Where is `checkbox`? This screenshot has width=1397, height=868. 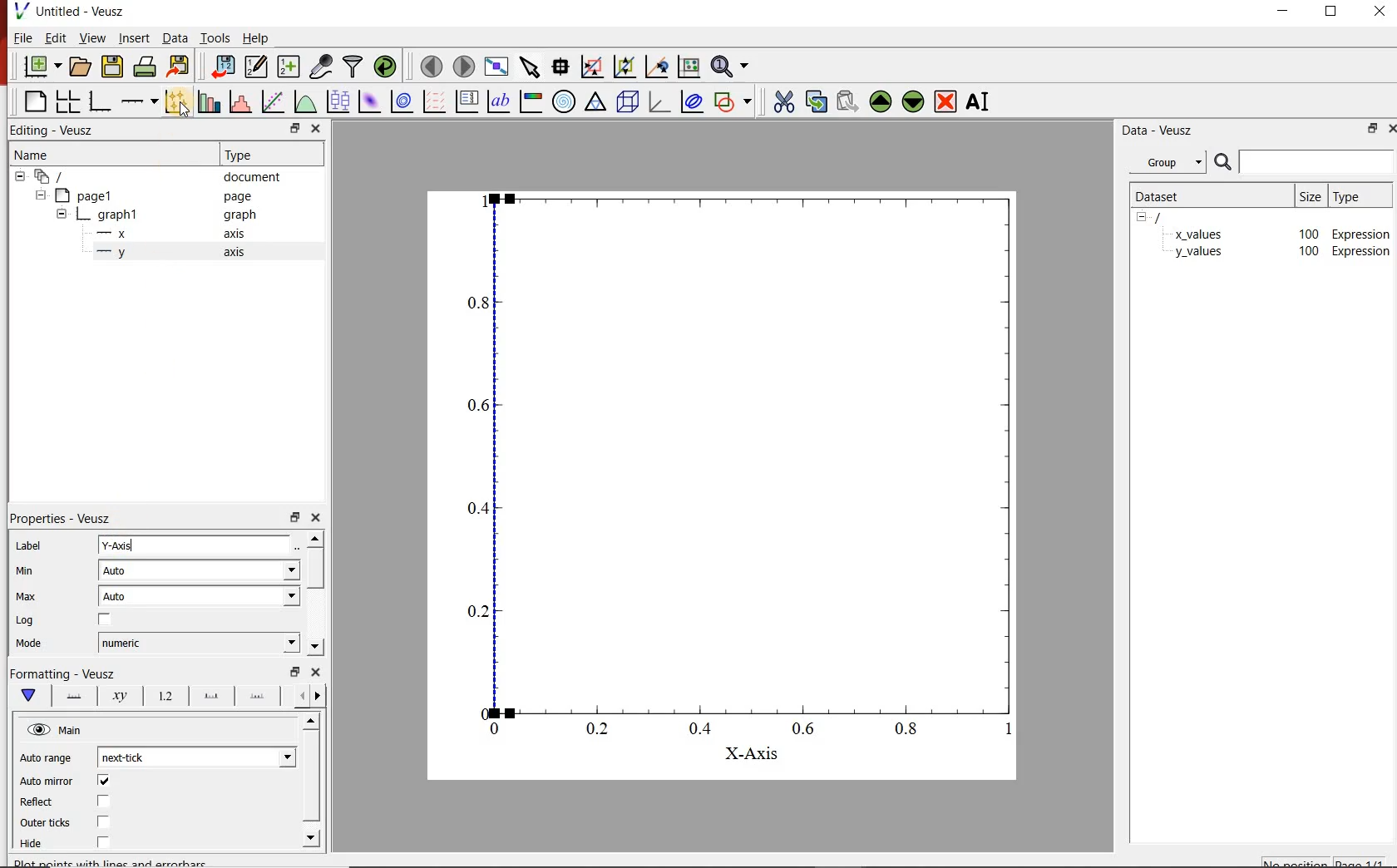 checkbox is located at coordinates (106, 619).